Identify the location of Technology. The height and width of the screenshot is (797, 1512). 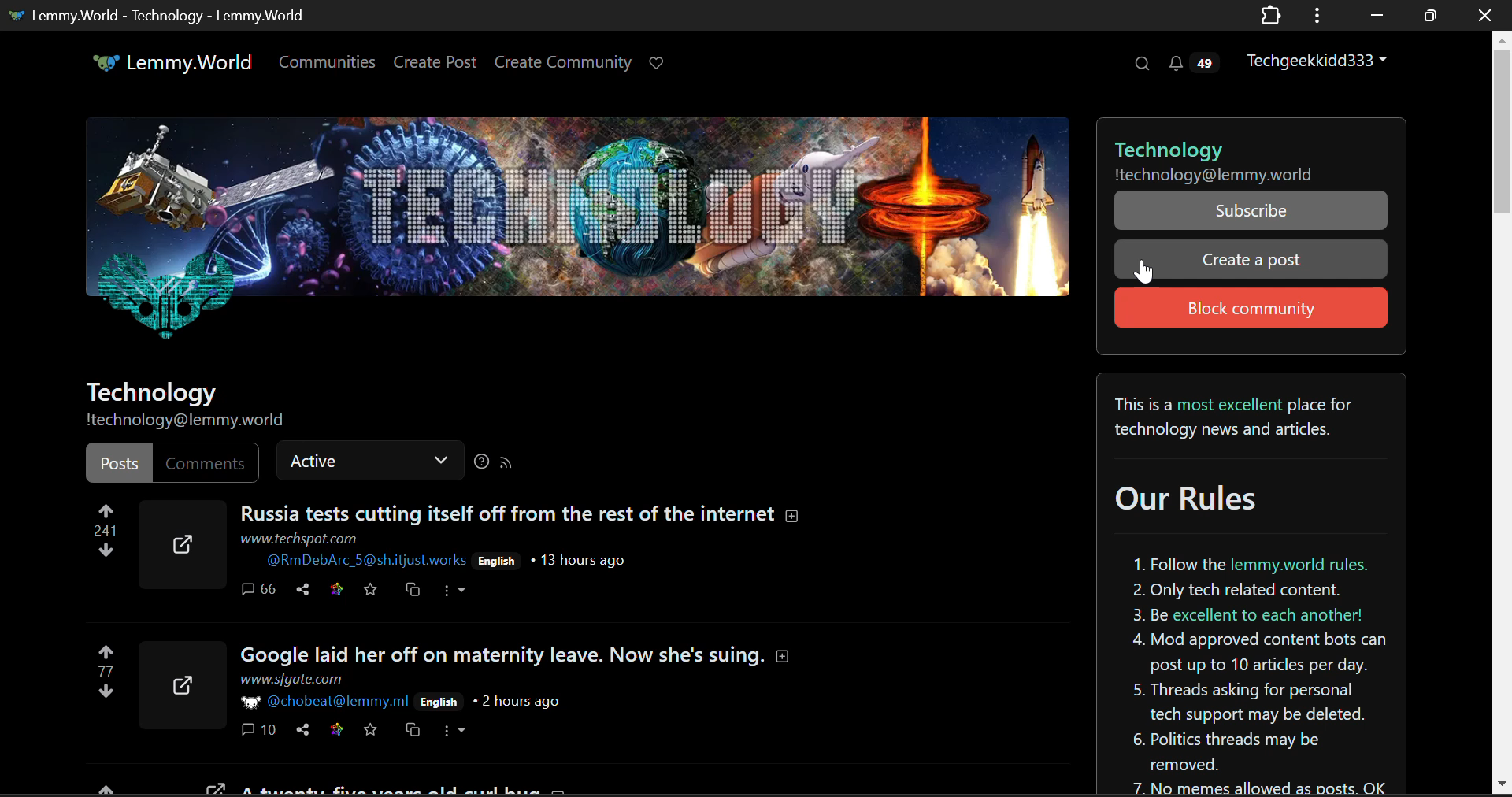
(1243, 143).